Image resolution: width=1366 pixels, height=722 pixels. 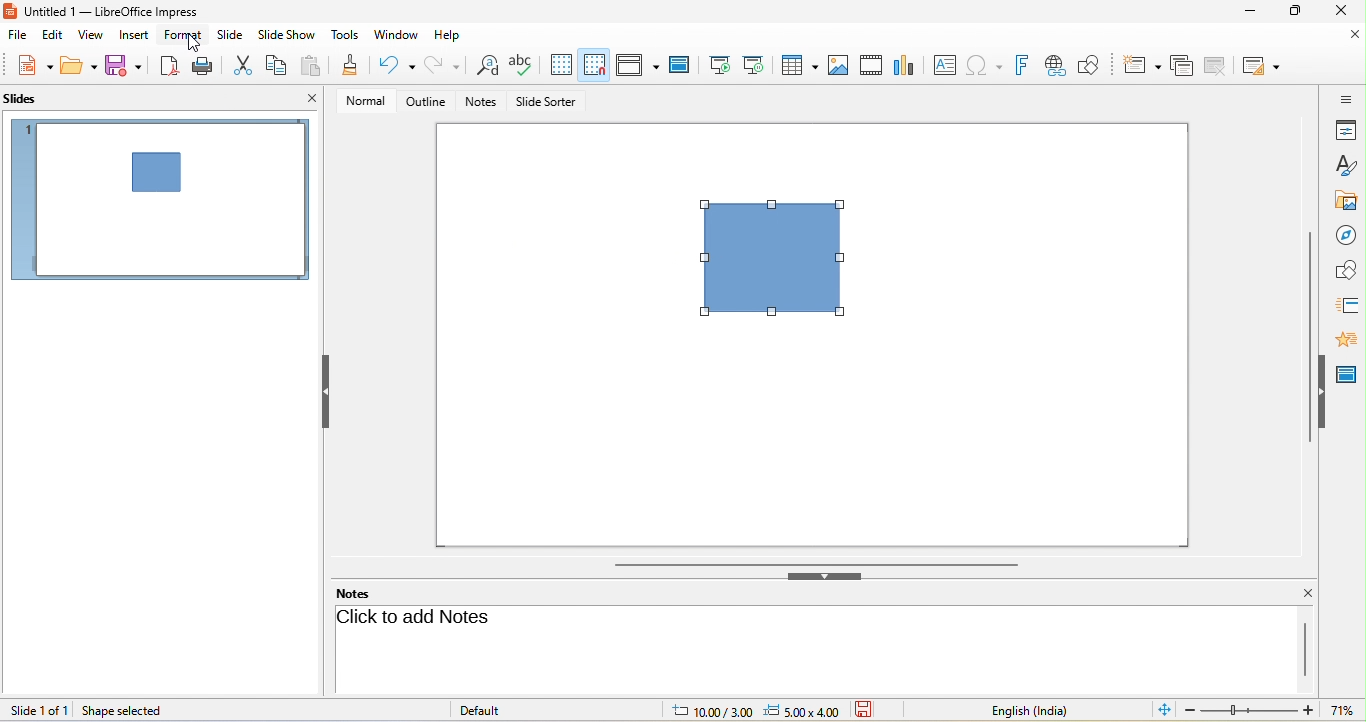 I want to click on hide, so click(x=1325, y=391).